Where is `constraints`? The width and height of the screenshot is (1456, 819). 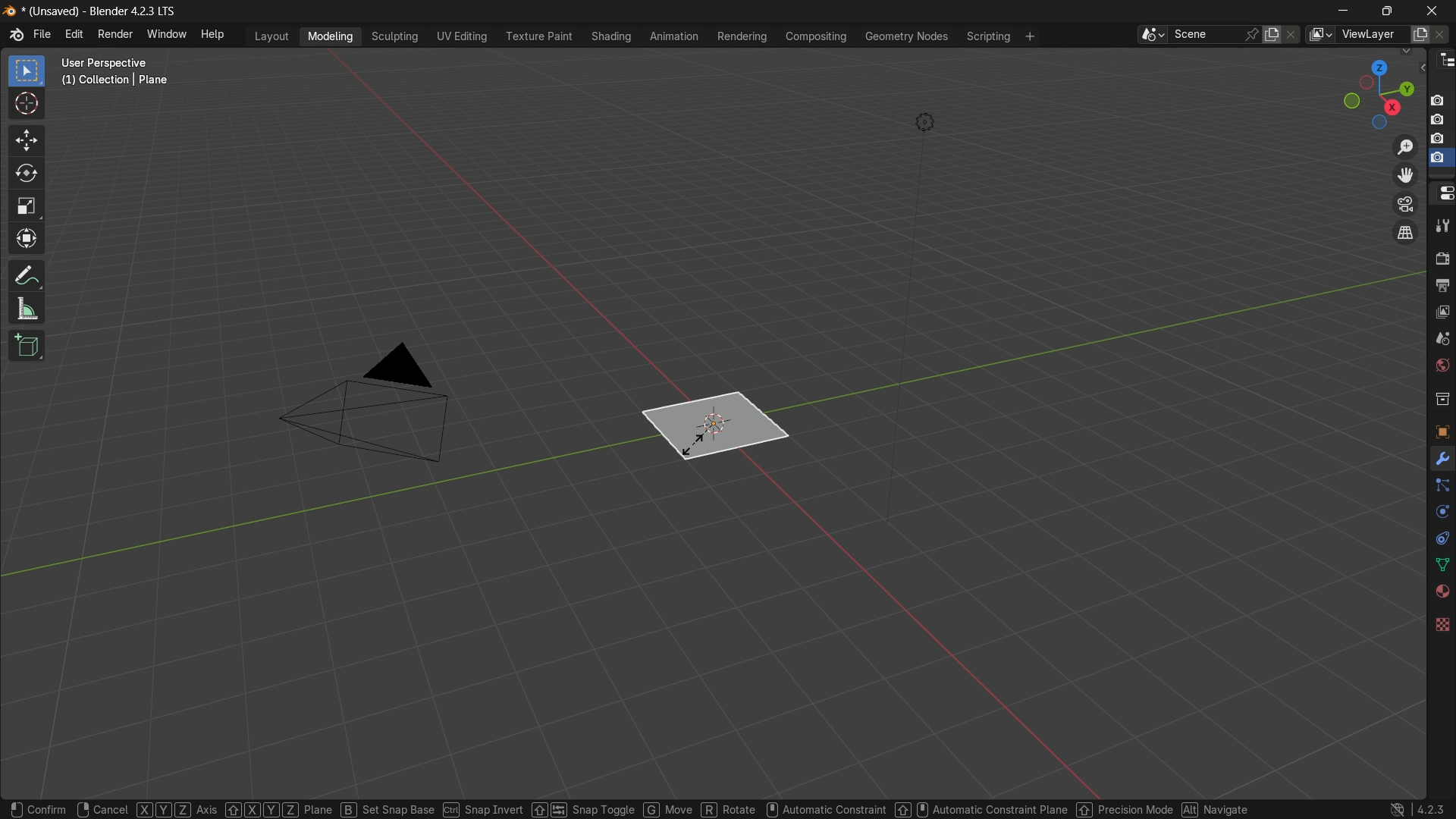 constraints is located at coordinates (1442, 538).